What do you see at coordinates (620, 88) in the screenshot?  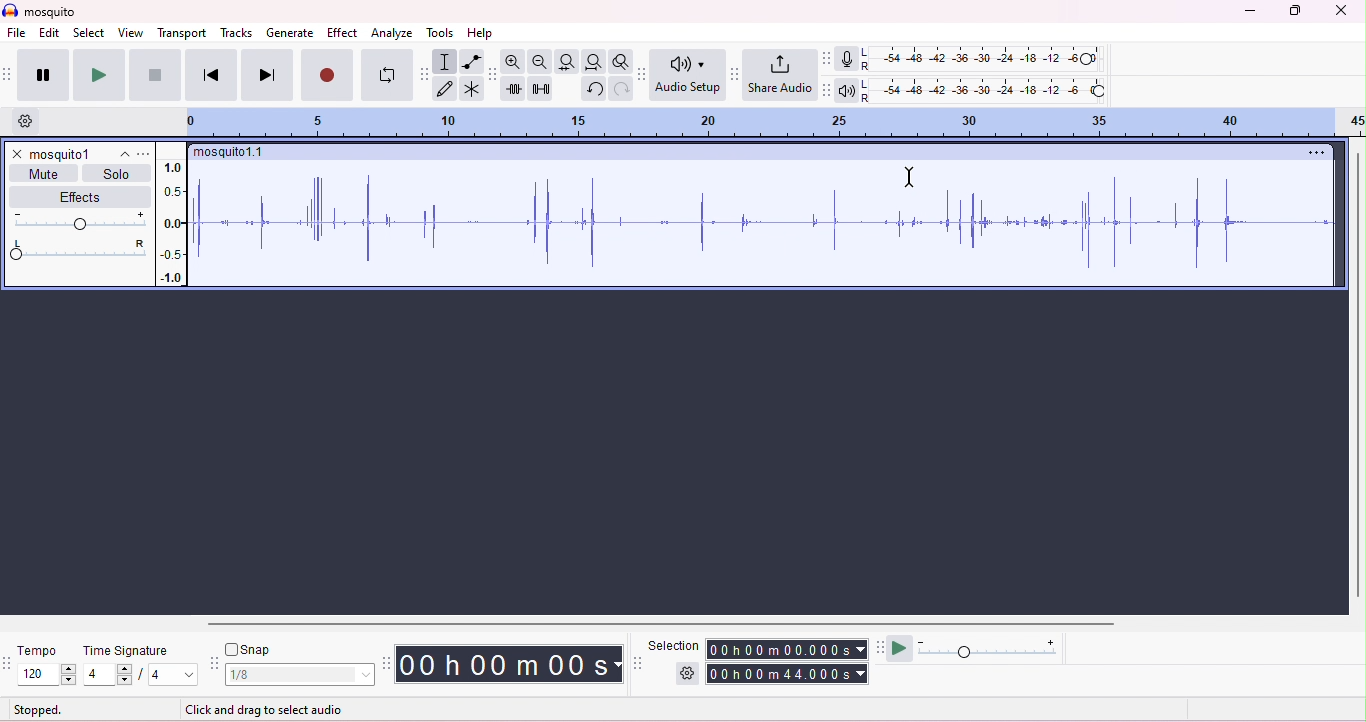 I see `redo` at bounding box center [620, 88].